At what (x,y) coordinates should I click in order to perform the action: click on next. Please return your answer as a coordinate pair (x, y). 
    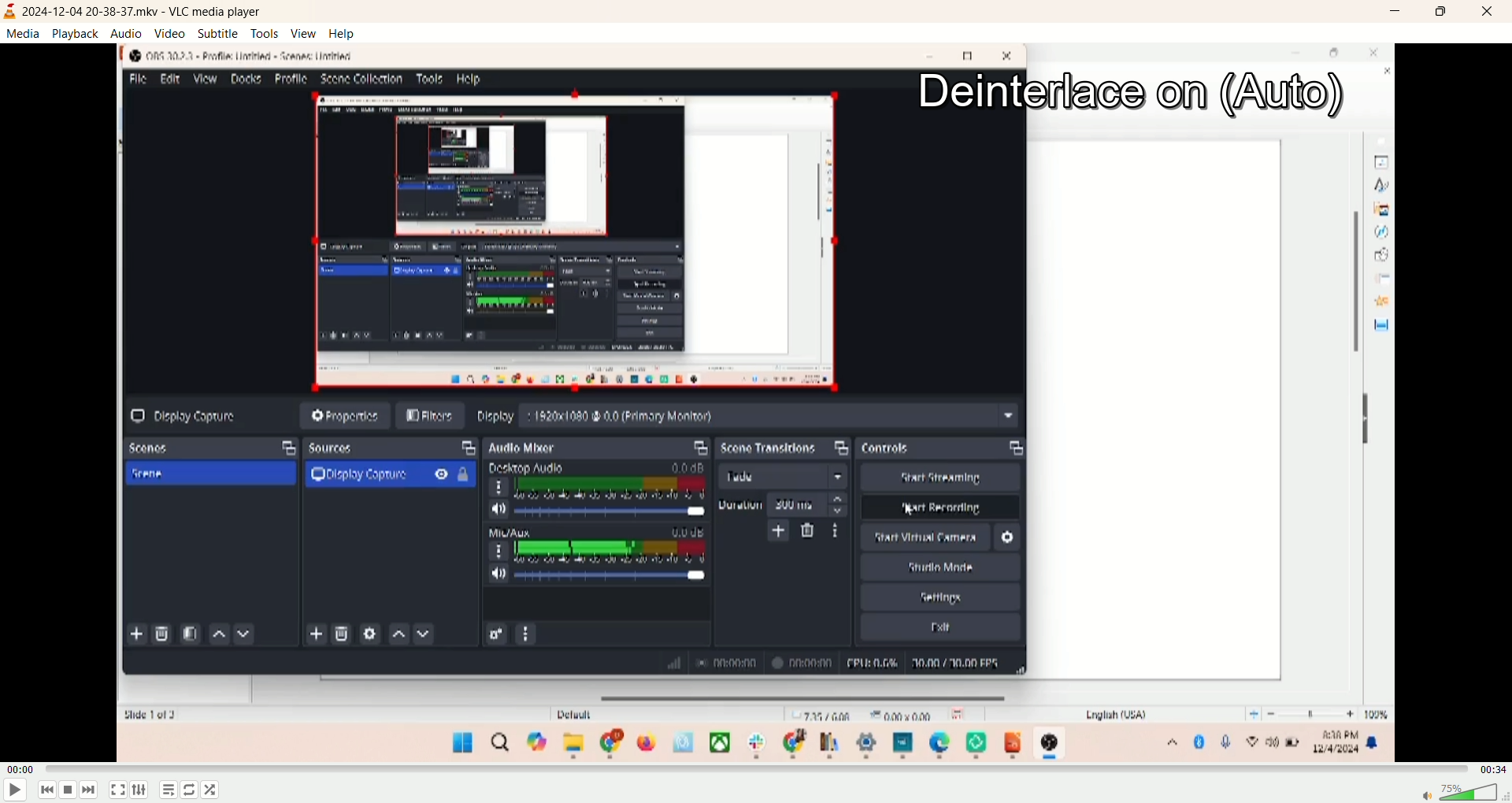
    Looking at the image, I should click on (93, 791).